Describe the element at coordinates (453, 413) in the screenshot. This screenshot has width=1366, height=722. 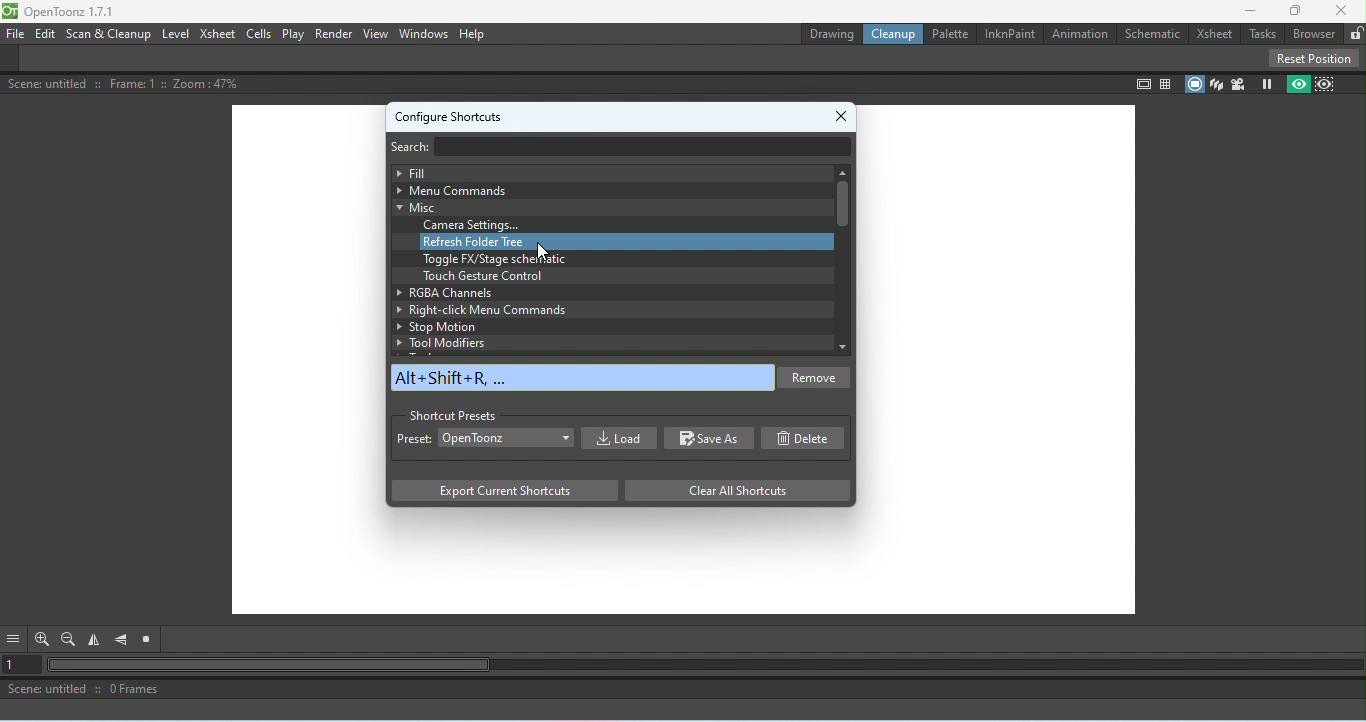
I see `Shortcut presets` at that location.